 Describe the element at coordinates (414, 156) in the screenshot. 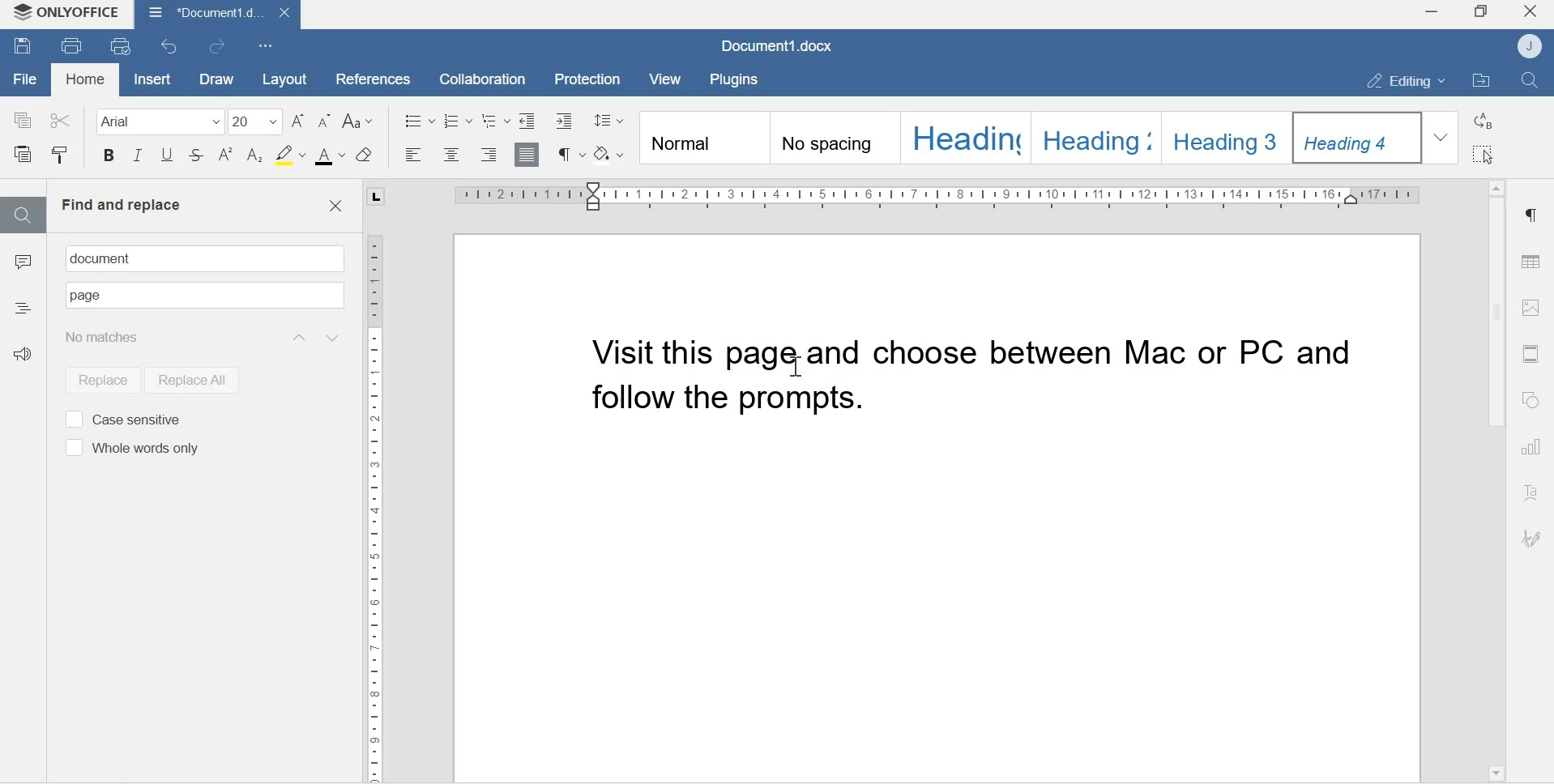

I see `Align left` at that location.